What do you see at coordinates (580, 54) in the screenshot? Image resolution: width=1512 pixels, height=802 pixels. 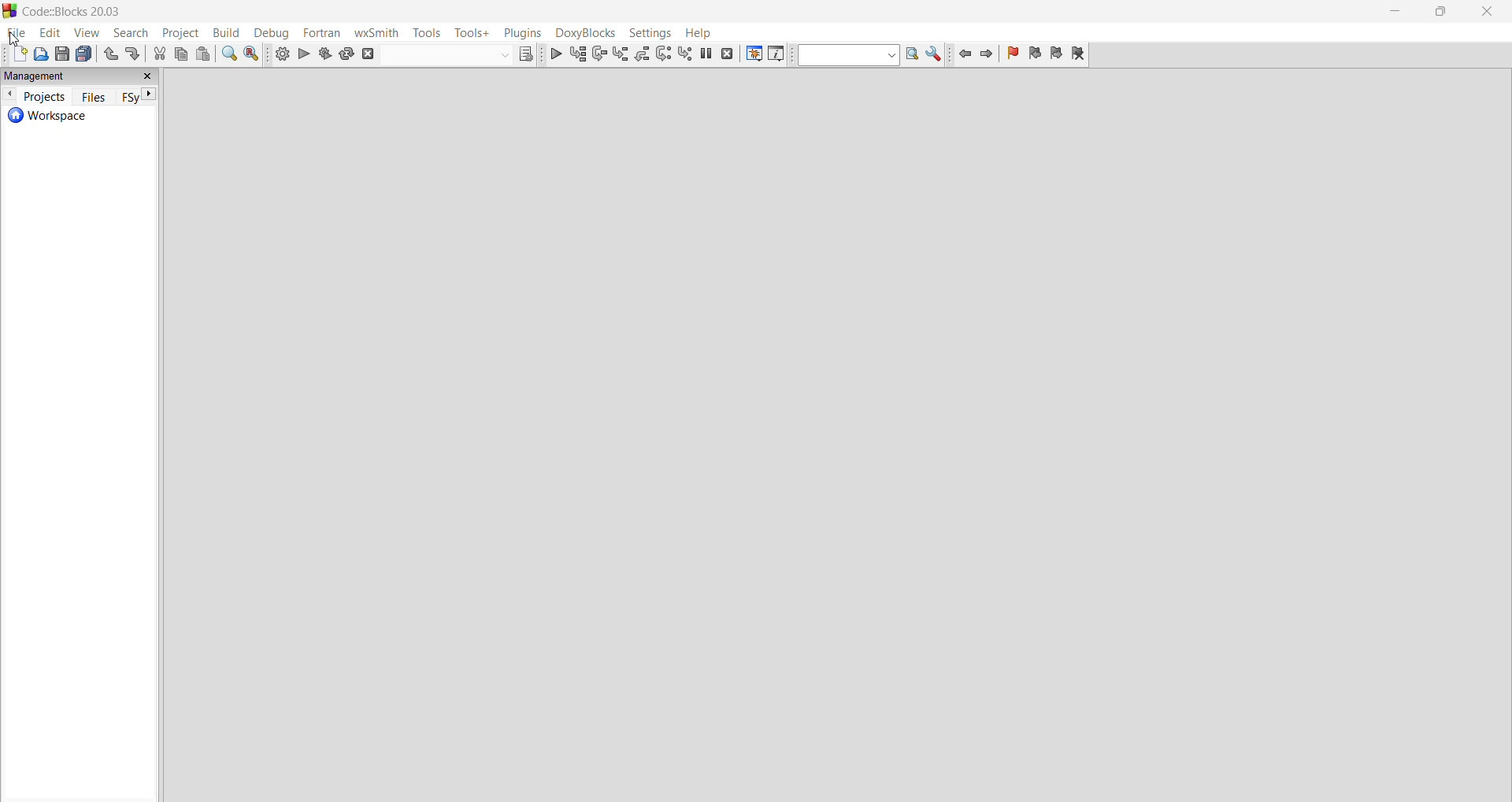 I see `run to ursor` at bounding box center [580, 54].